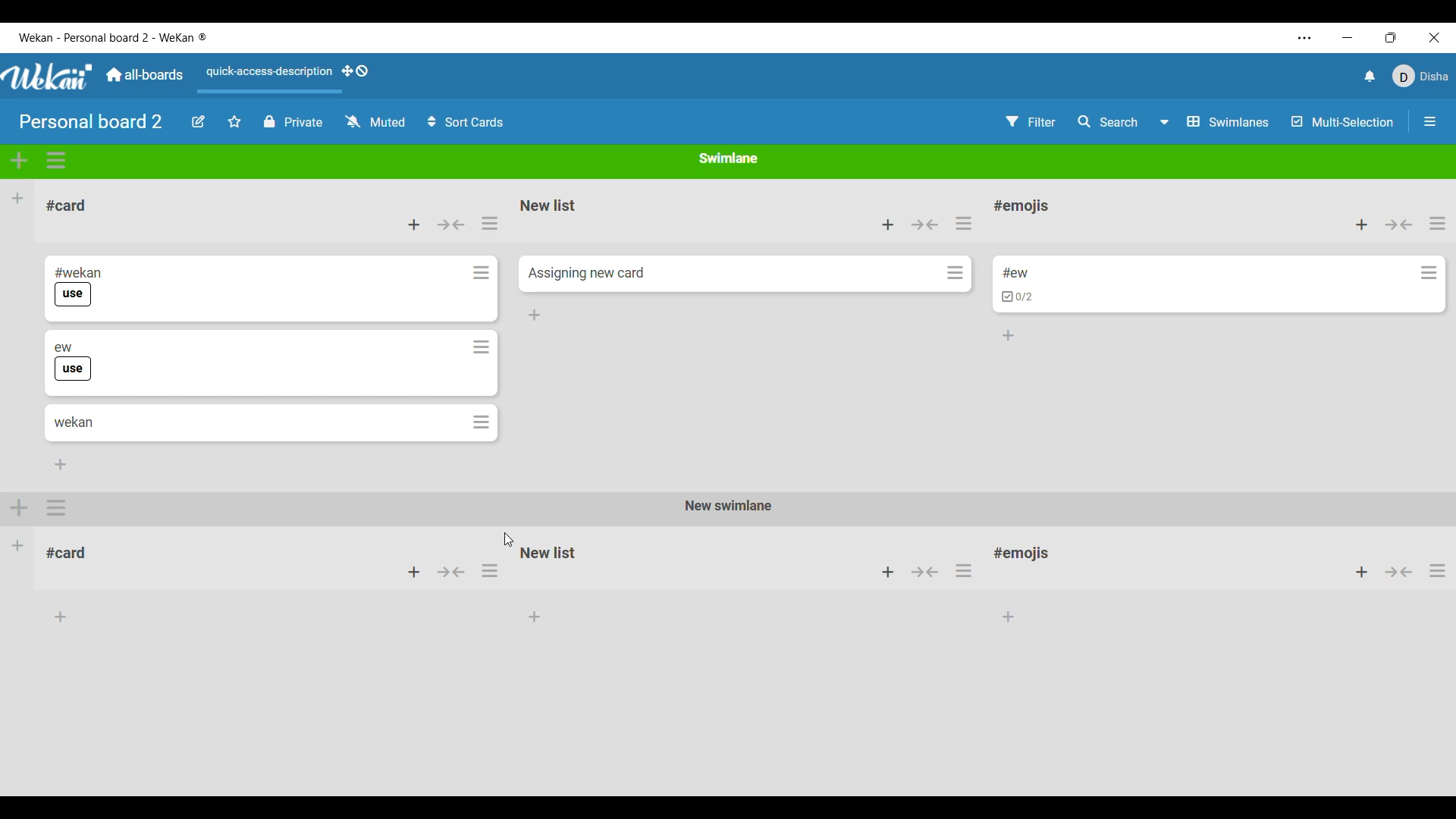 Image resolution: width=1456 pixels, height=819 pixels. Describe the element at coordinates (485, 275) in the screenshot. I see `card actions` at that location.